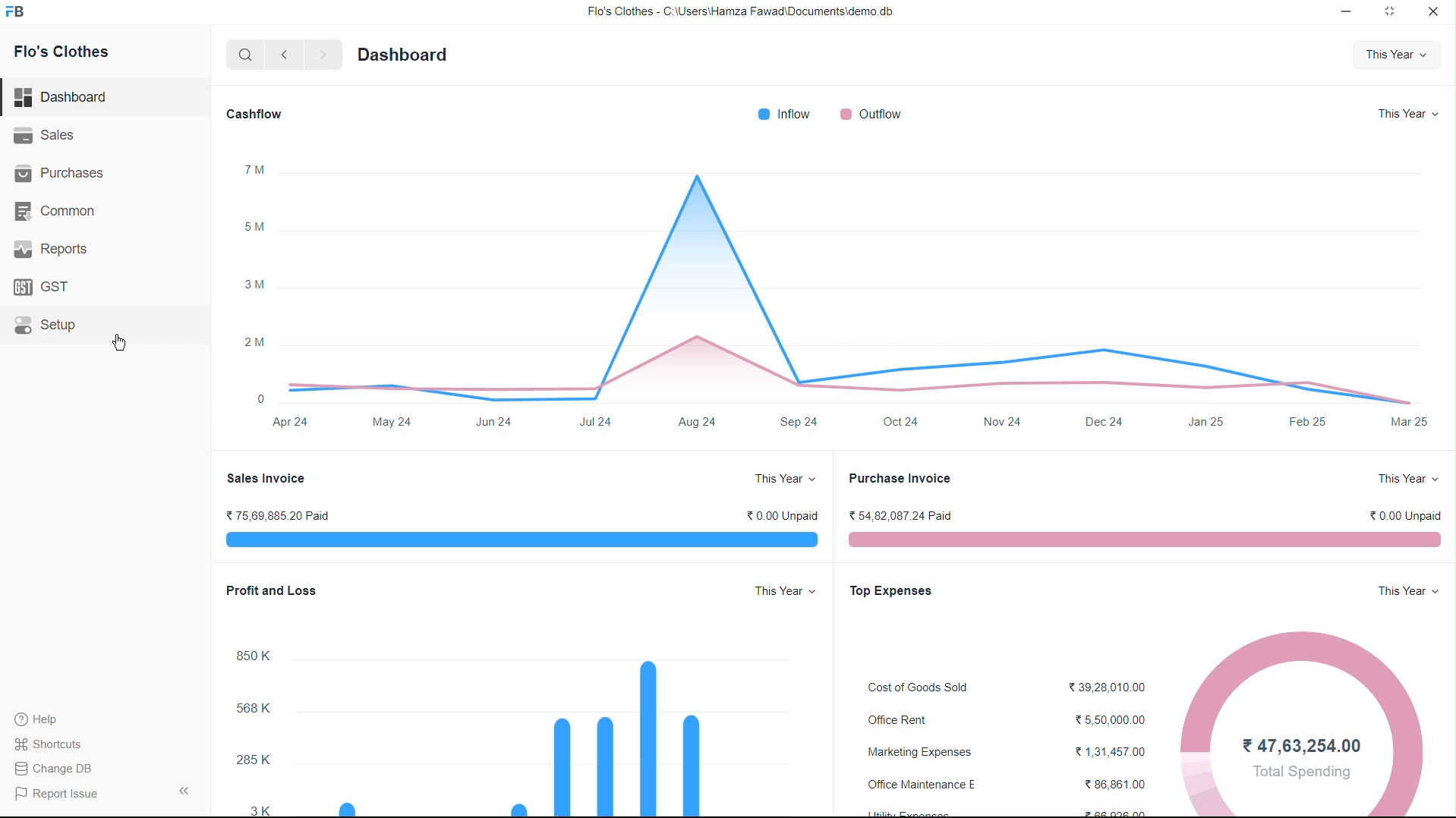 Image resolution: width=1456 pixels, height=818 pixels. What do you see at coordinates (49, 326) in the screenshot?
I see `Setup` at bounding box center [49, 326].